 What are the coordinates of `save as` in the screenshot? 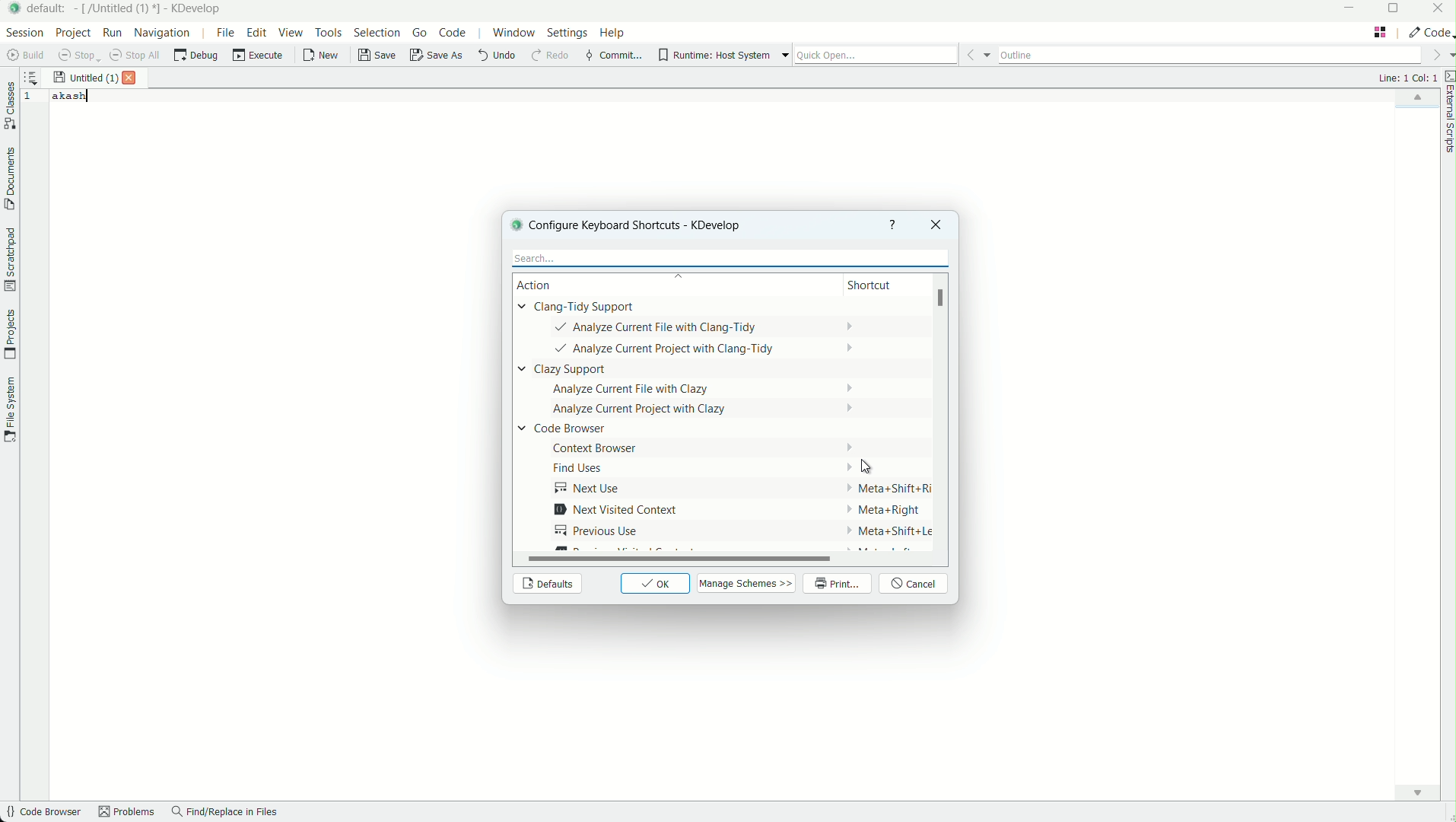 It's located at (437, 56).